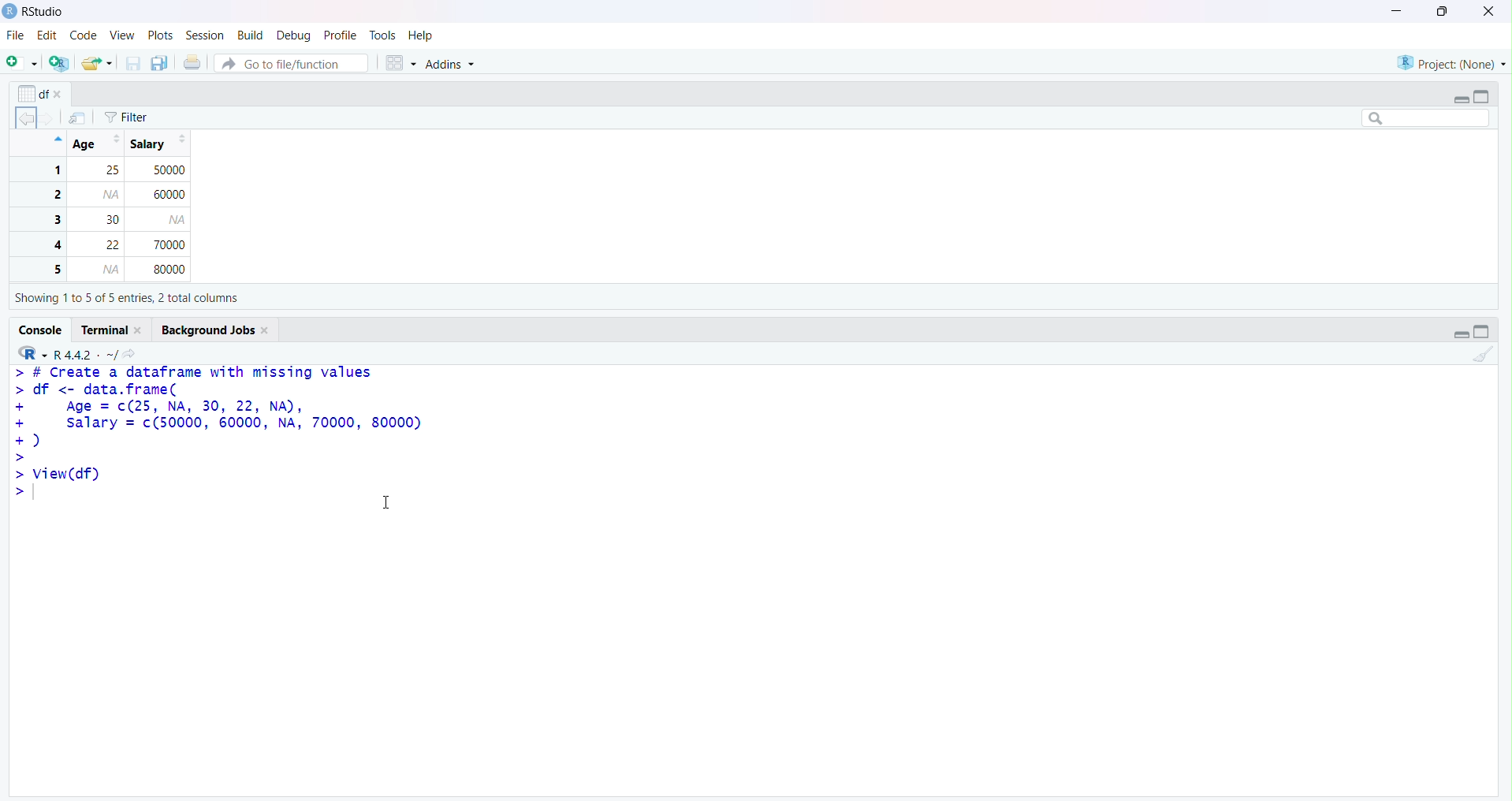 This screenshot has height=801, width=1512. What do you see at coordinates (216, 330) in the screenshot?
I see `Background Jobs` at bounding box center [216, 330].